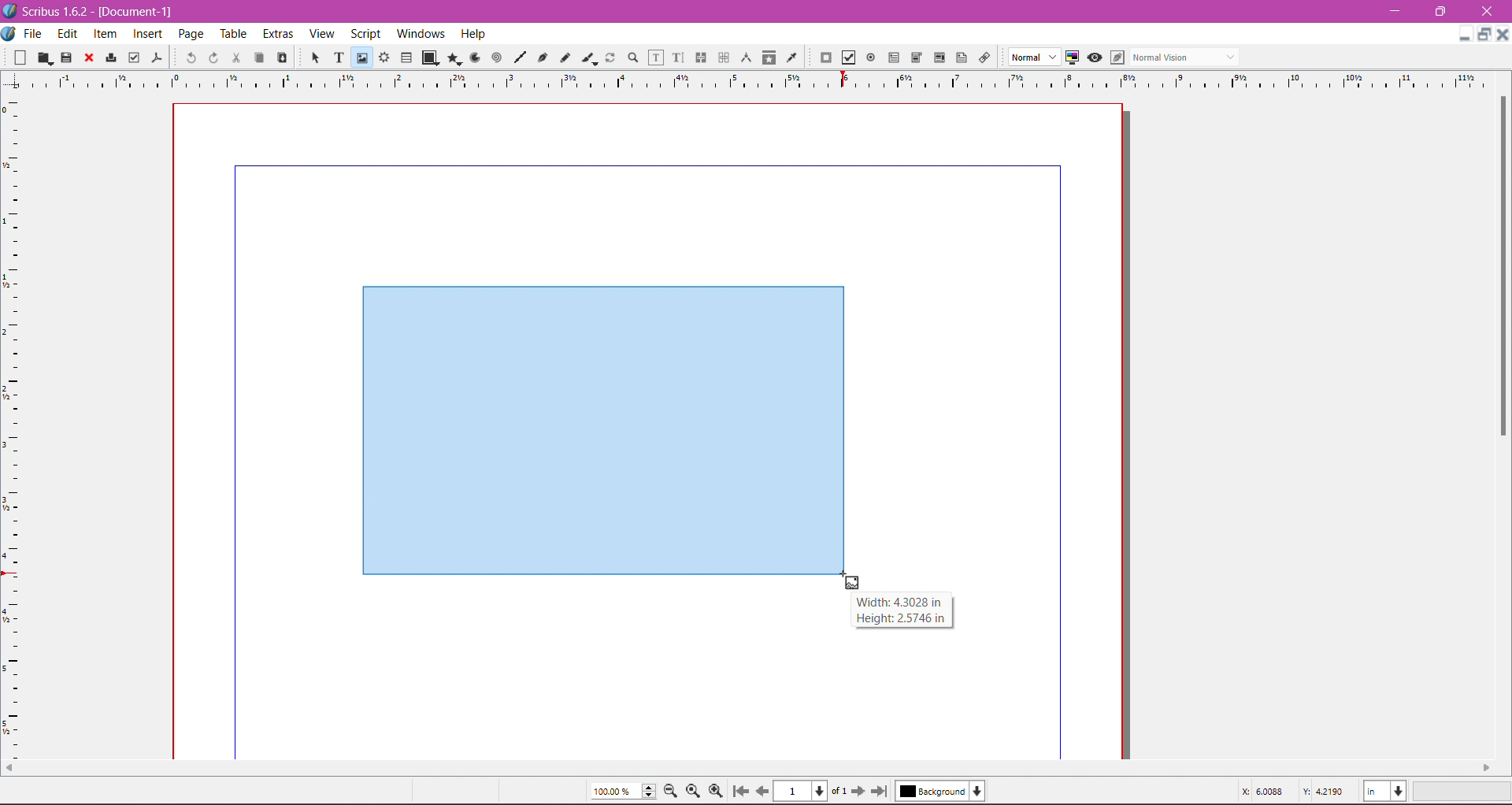 The image size is (1512, 805). Describe the element at coordinates (191, 57) in the screenshot. I see `Undo` at that location.